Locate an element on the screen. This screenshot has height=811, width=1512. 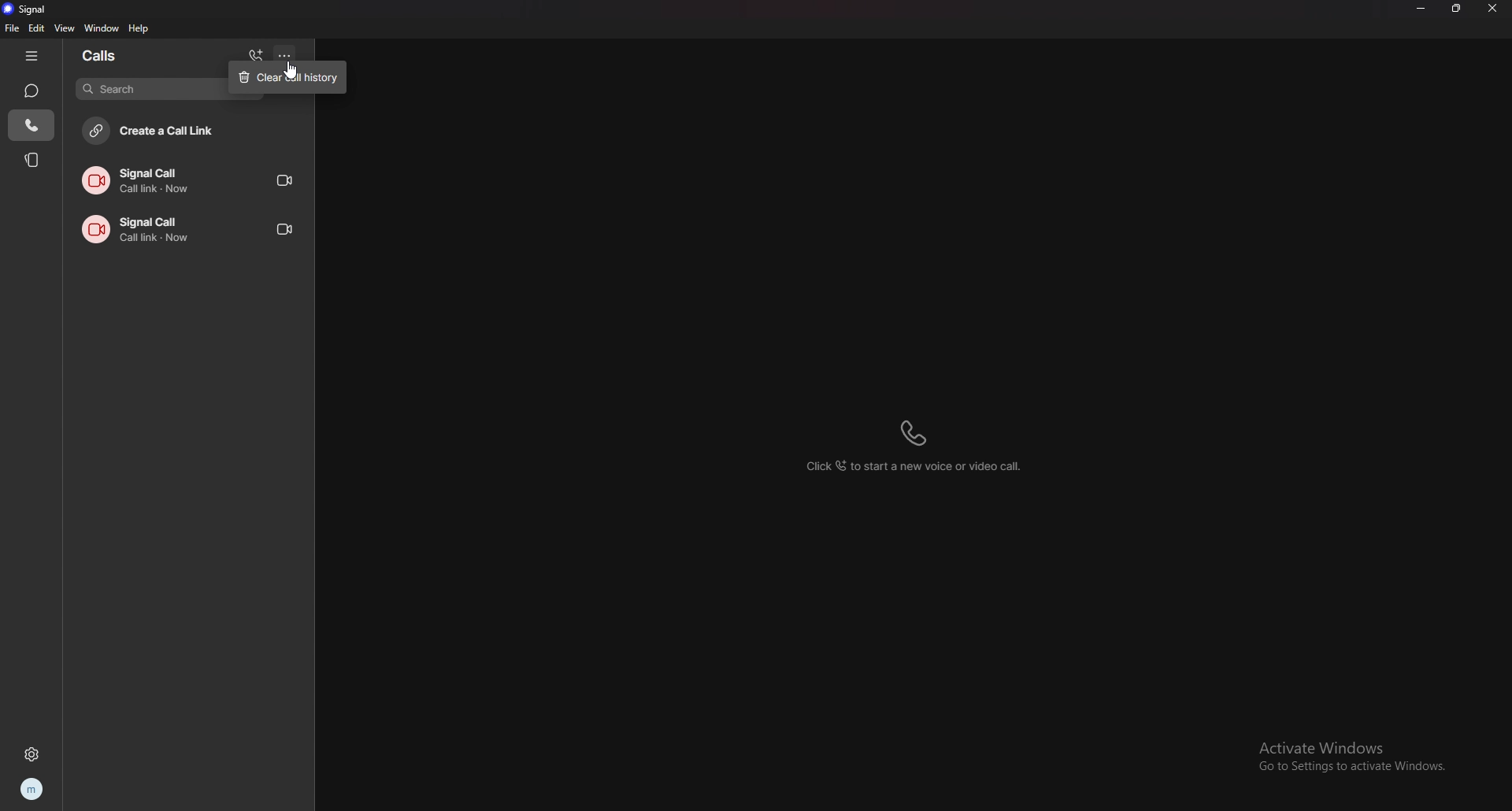
calls is located at coordinates (30, 126).